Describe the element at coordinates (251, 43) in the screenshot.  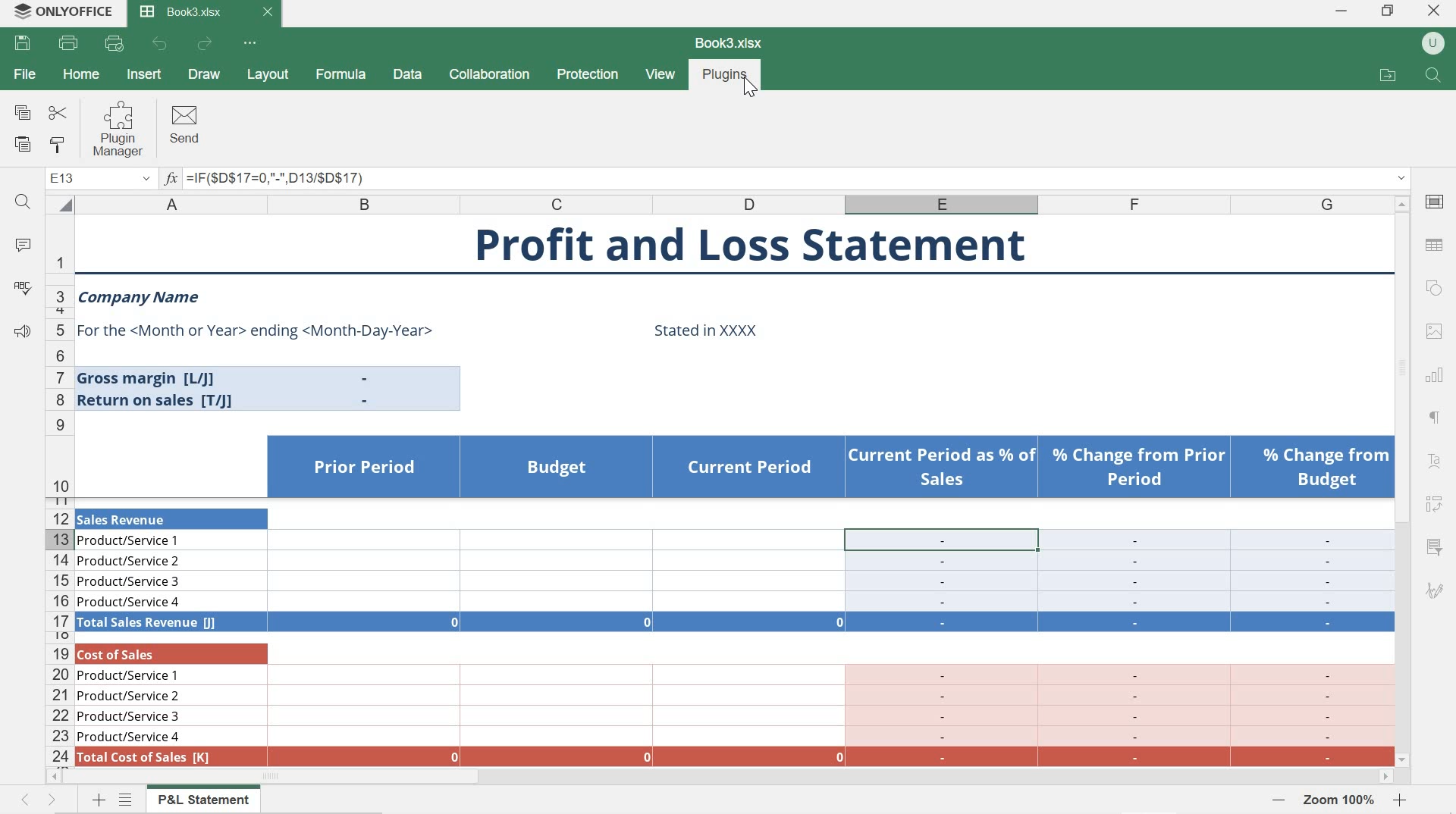
I see `customize quick access toolbar` at that location.